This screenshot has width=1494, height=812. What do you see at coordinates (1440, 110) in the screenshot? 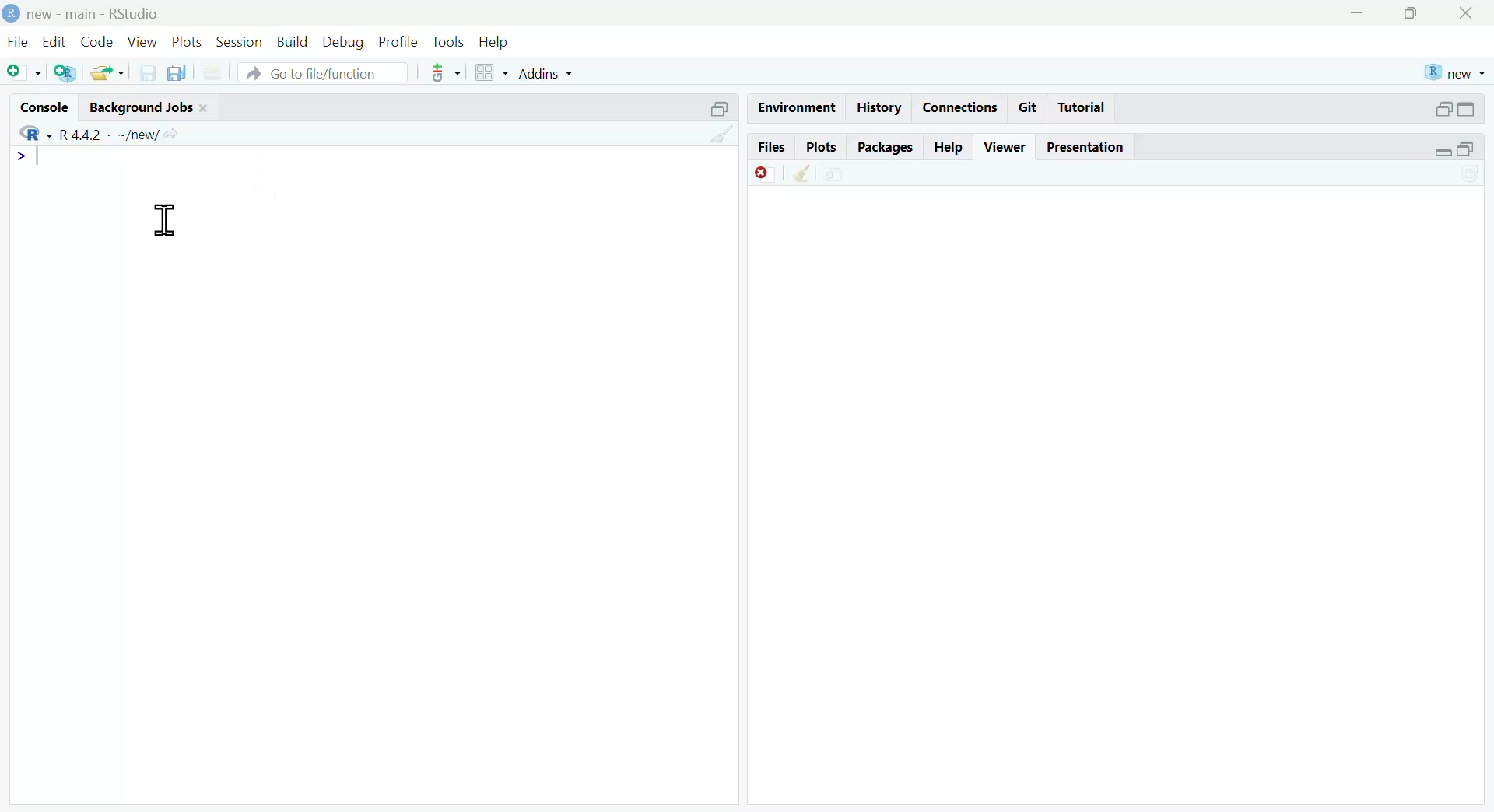
I see `minimize` at bounding box center [1440, 110].